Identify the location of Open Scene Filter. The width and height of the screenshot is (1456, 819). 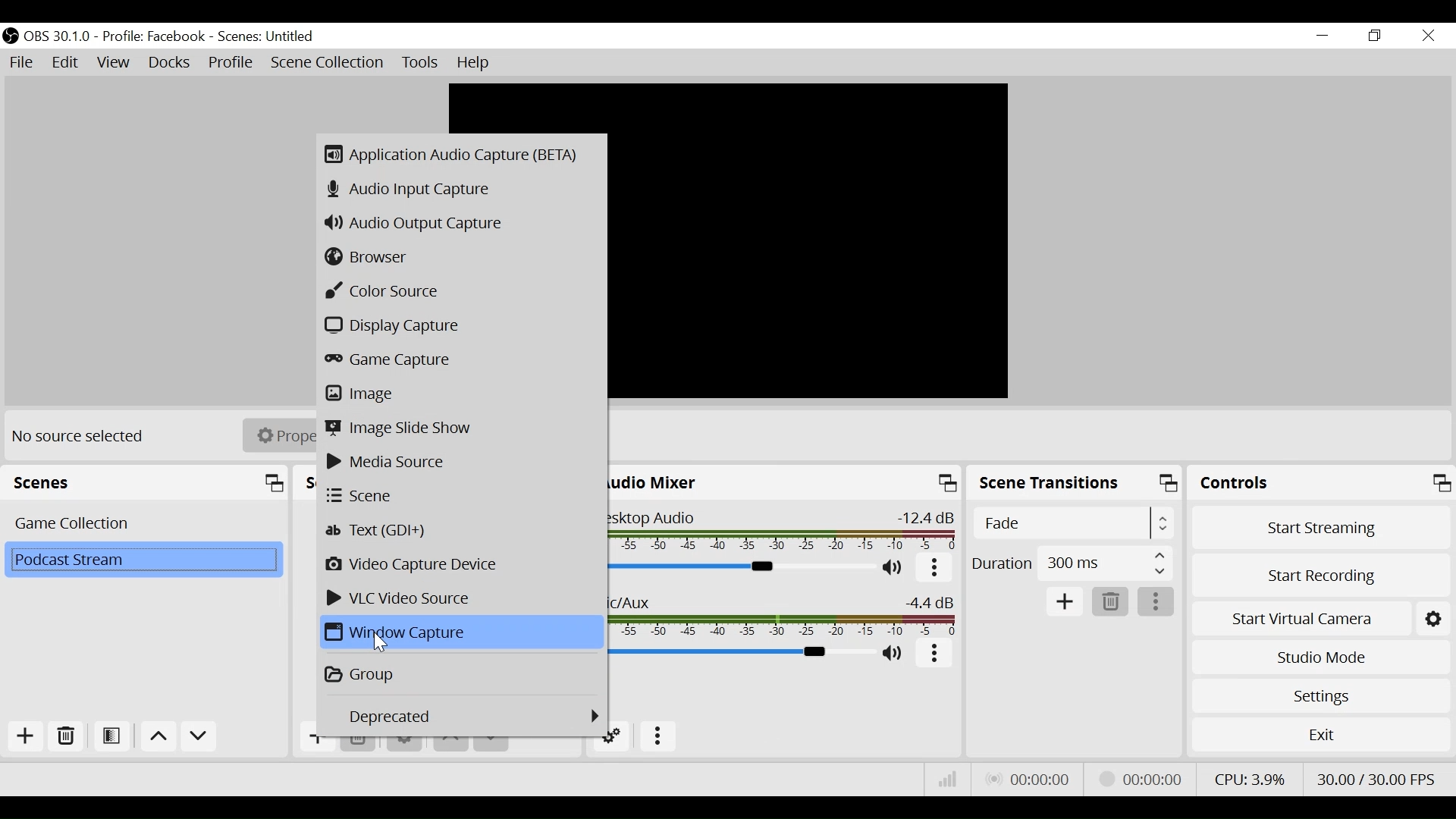
(111, 736).